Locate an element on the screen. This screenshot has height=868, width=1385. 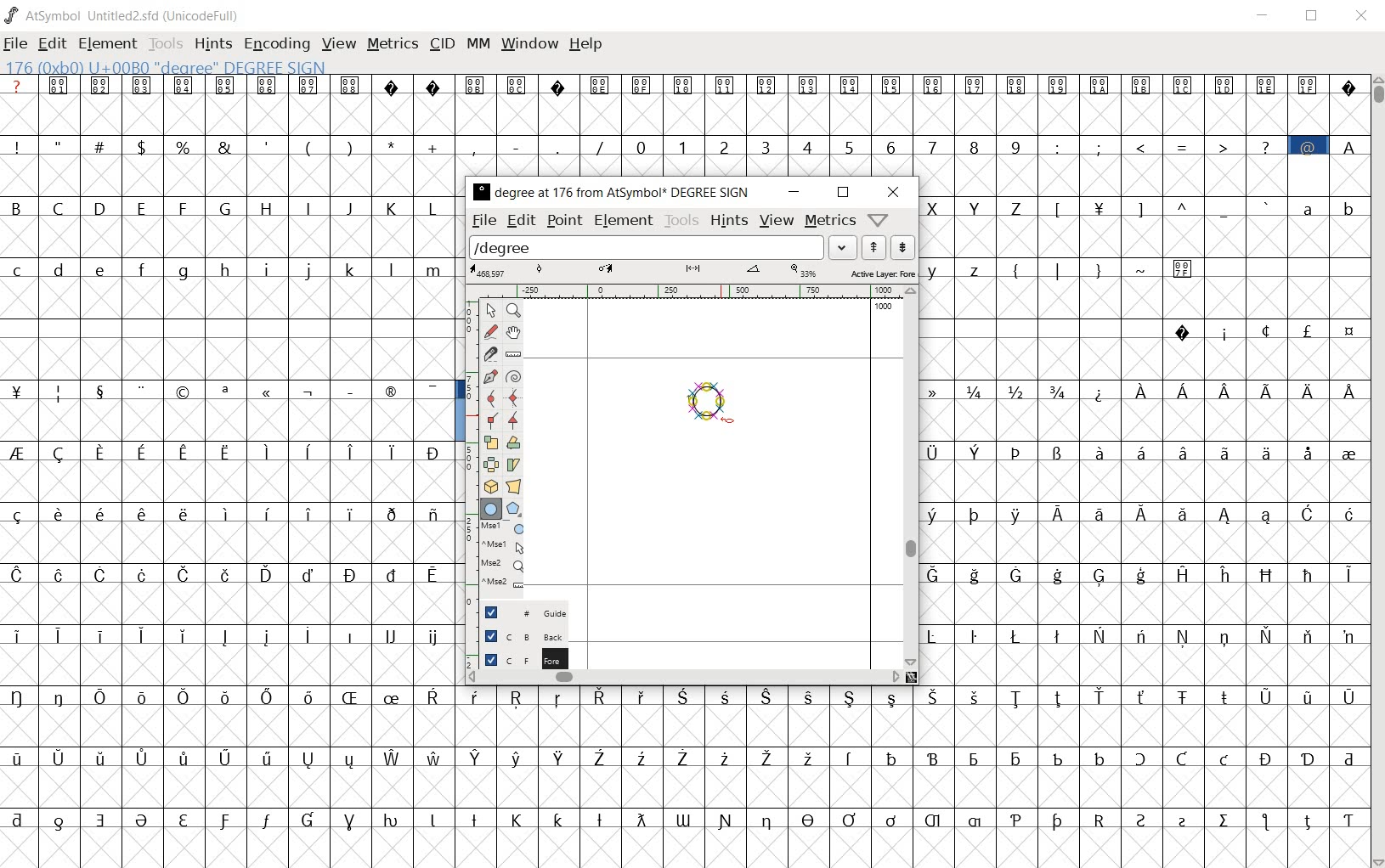
add a curve point always either horizontal or vertical is located at coordinates (515, 397).